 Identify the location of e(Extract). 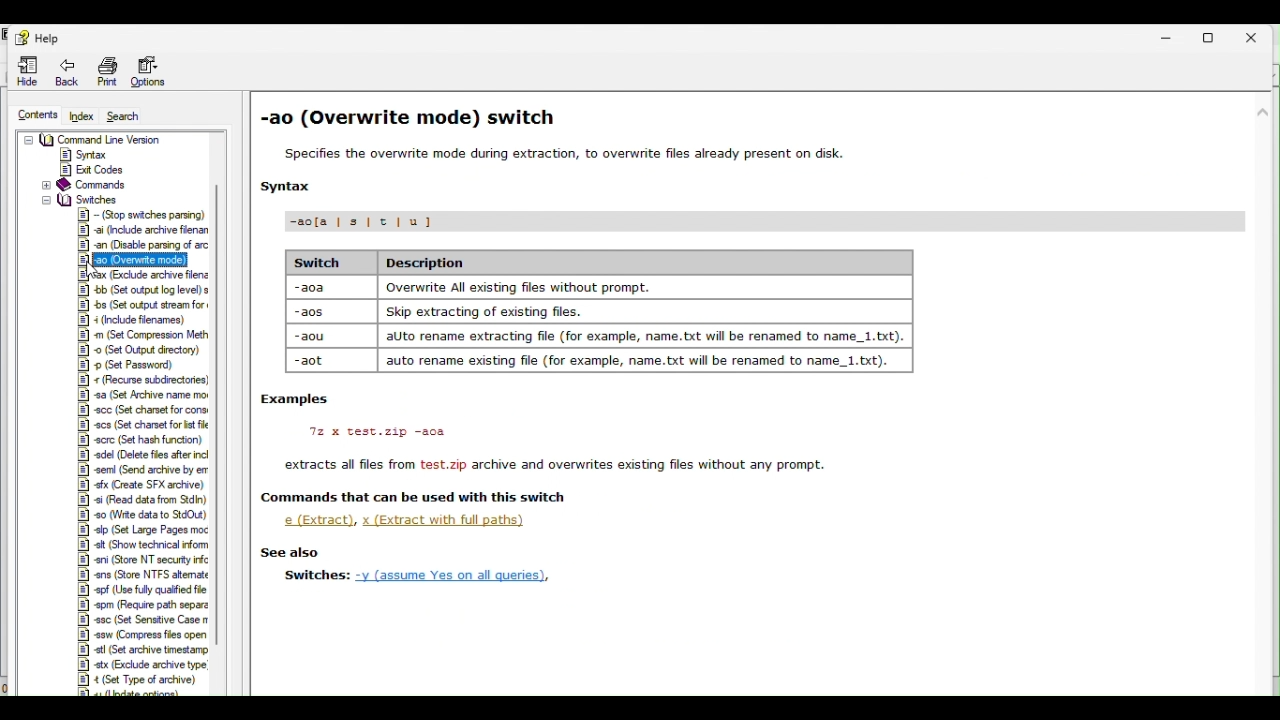
(319, 520).